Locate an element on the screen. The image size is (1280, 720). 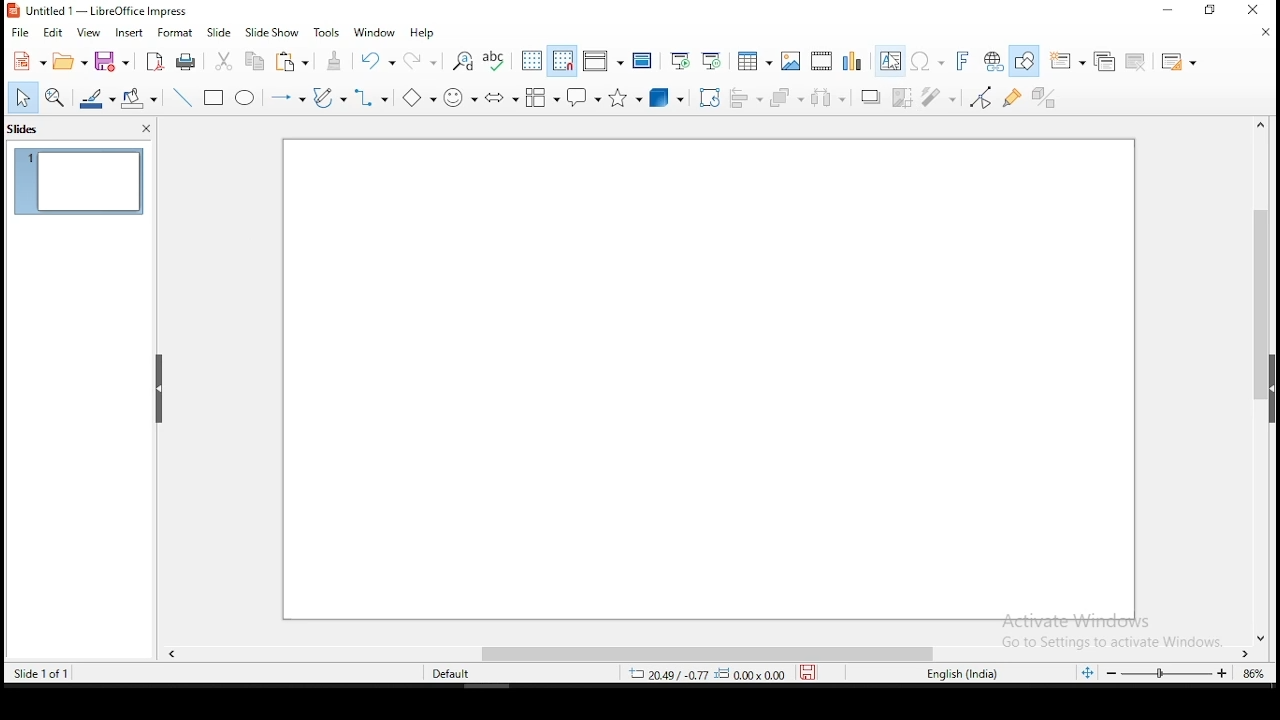
scroll bar is located at coordinates (1261, 381).